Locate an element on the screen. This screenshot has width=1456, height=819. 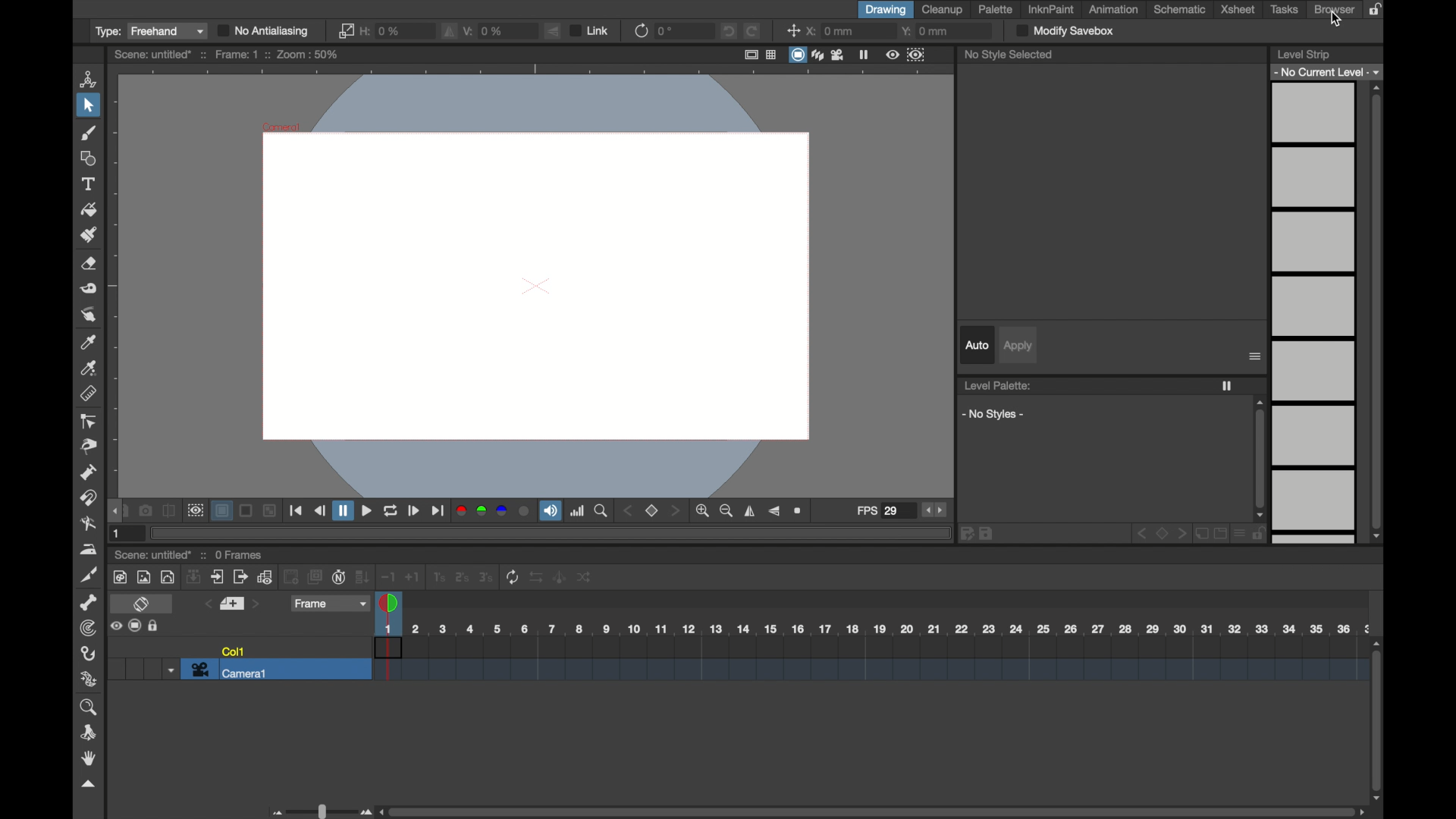
compare to snapshot is located at coordinates (169, 511).